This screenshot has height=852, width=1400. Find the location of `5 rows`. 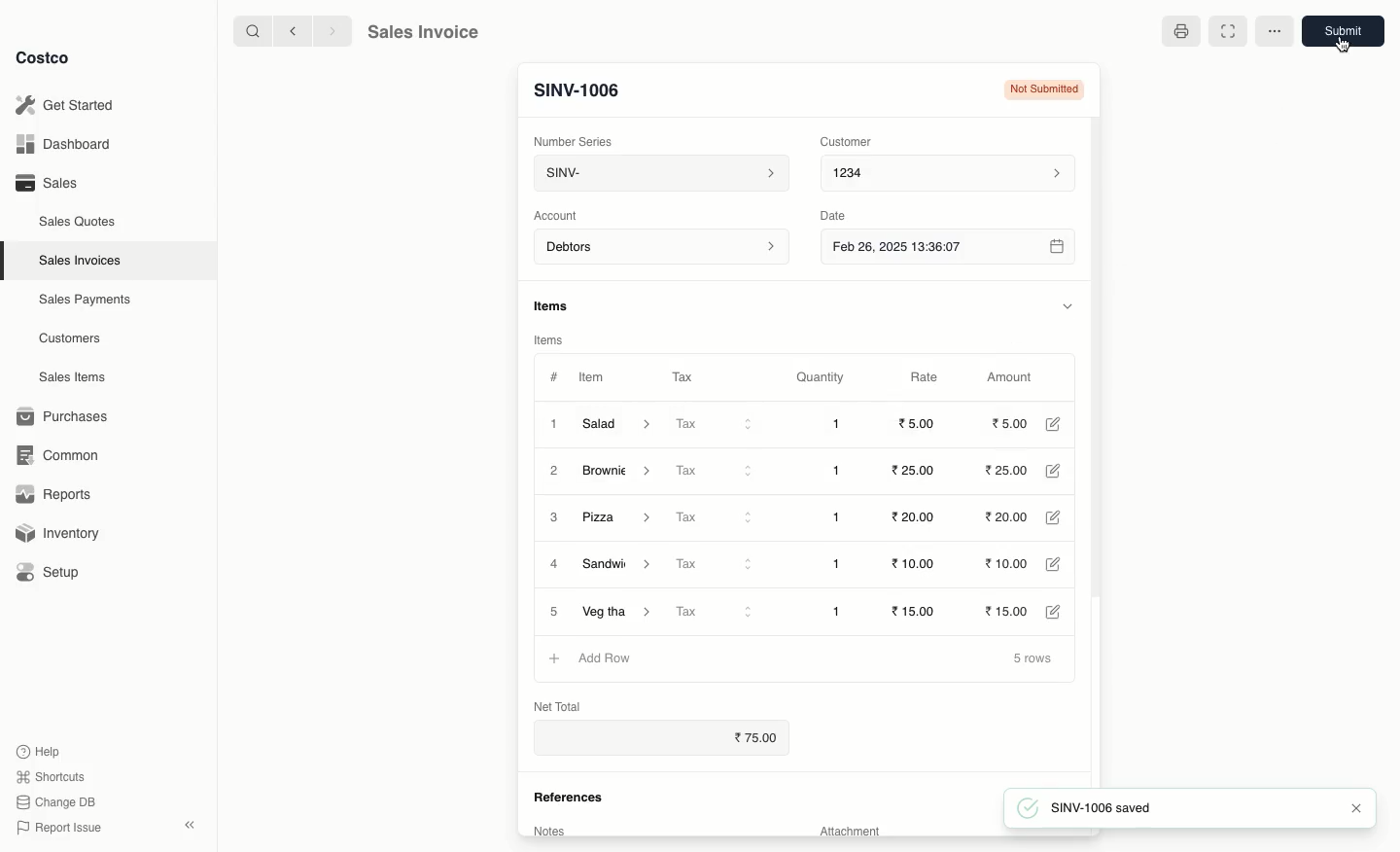

5 rows is located at coordinates (1033, 663).